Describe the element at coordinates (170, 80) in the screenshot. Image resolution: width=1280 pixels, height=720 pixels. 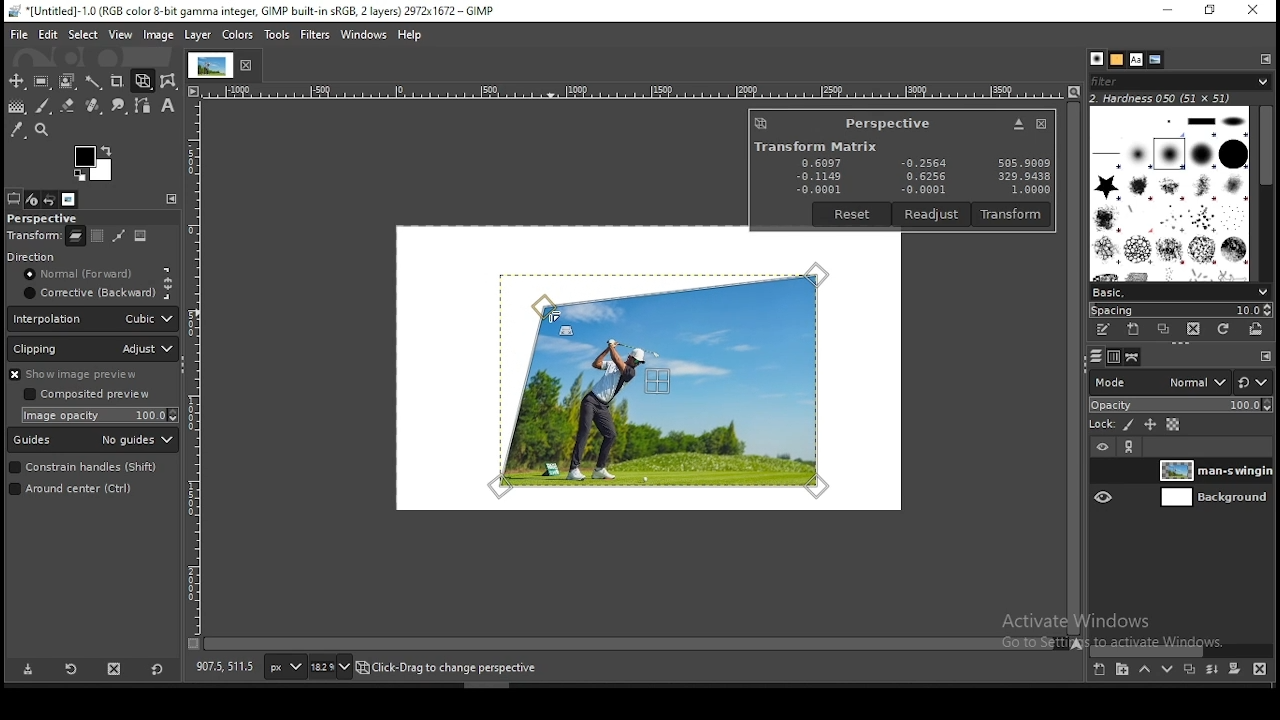
I see `wrap transform` at that location.